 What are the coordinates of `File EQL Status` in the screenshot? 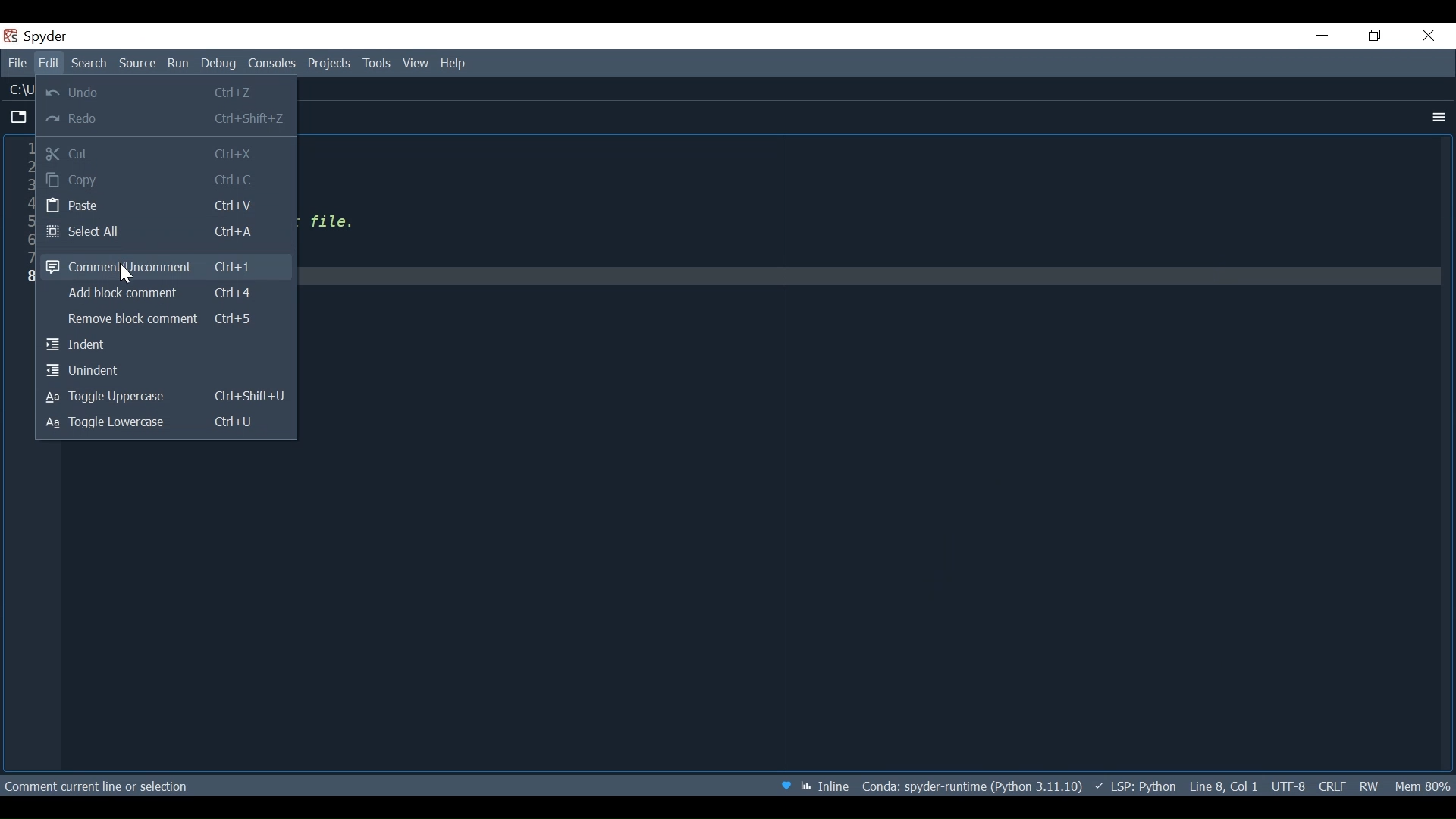 It's located at (1332, 786).